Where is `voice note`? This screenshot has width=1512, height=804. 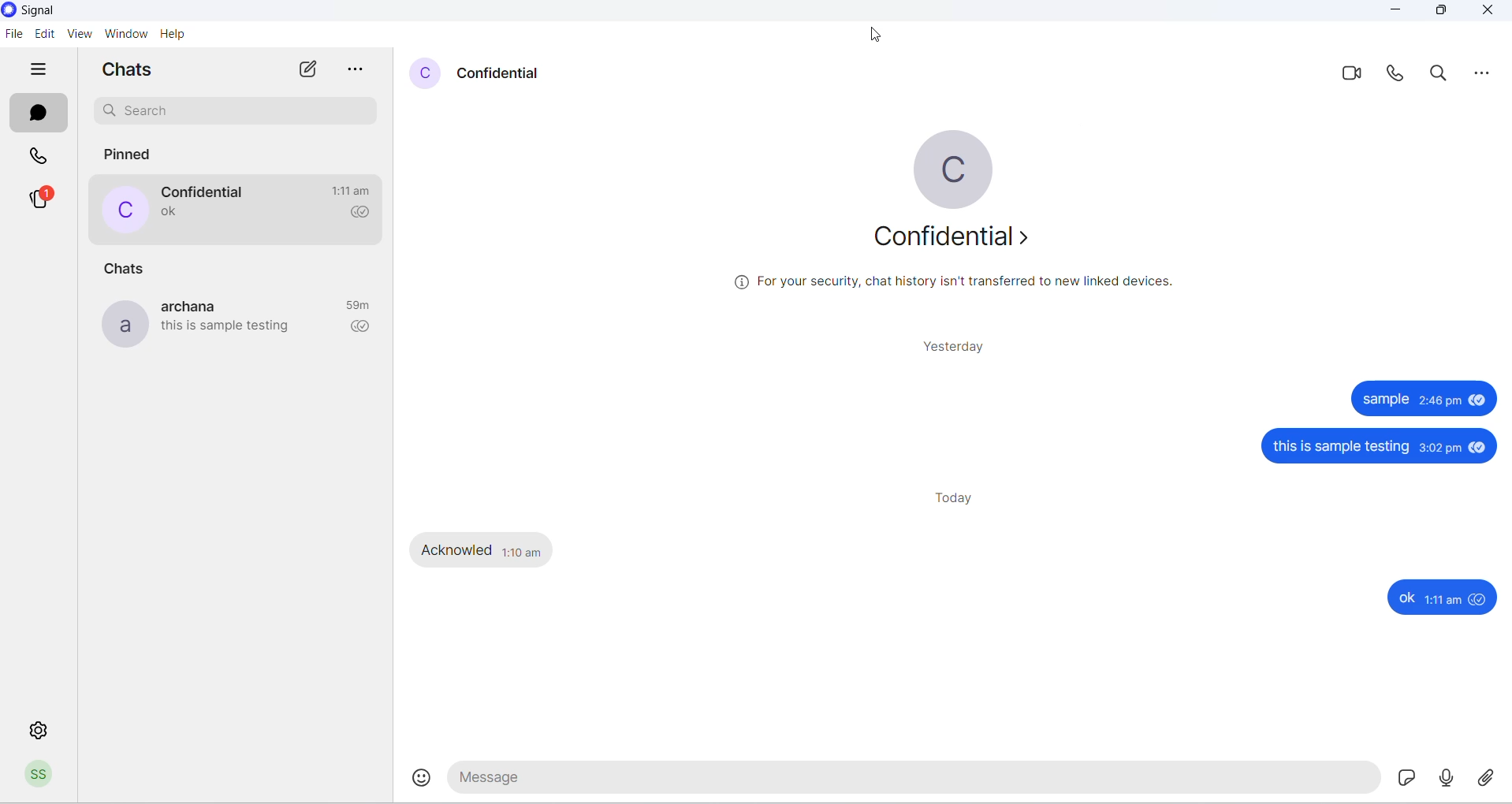
voice note is located at coordinates (1448, 780).